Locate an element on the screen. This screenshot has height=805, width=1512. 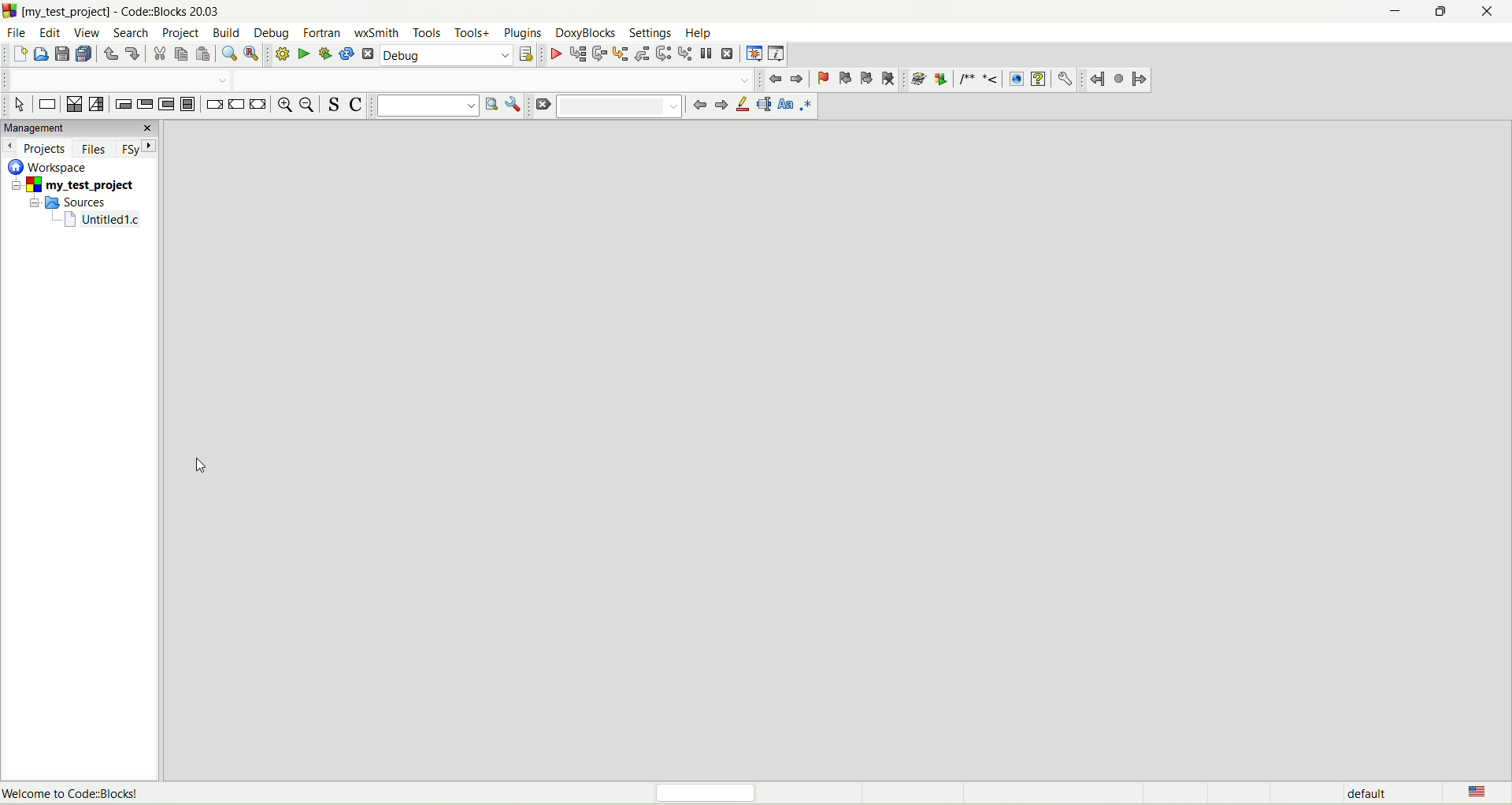
various info is located at coordinates (778, 53).